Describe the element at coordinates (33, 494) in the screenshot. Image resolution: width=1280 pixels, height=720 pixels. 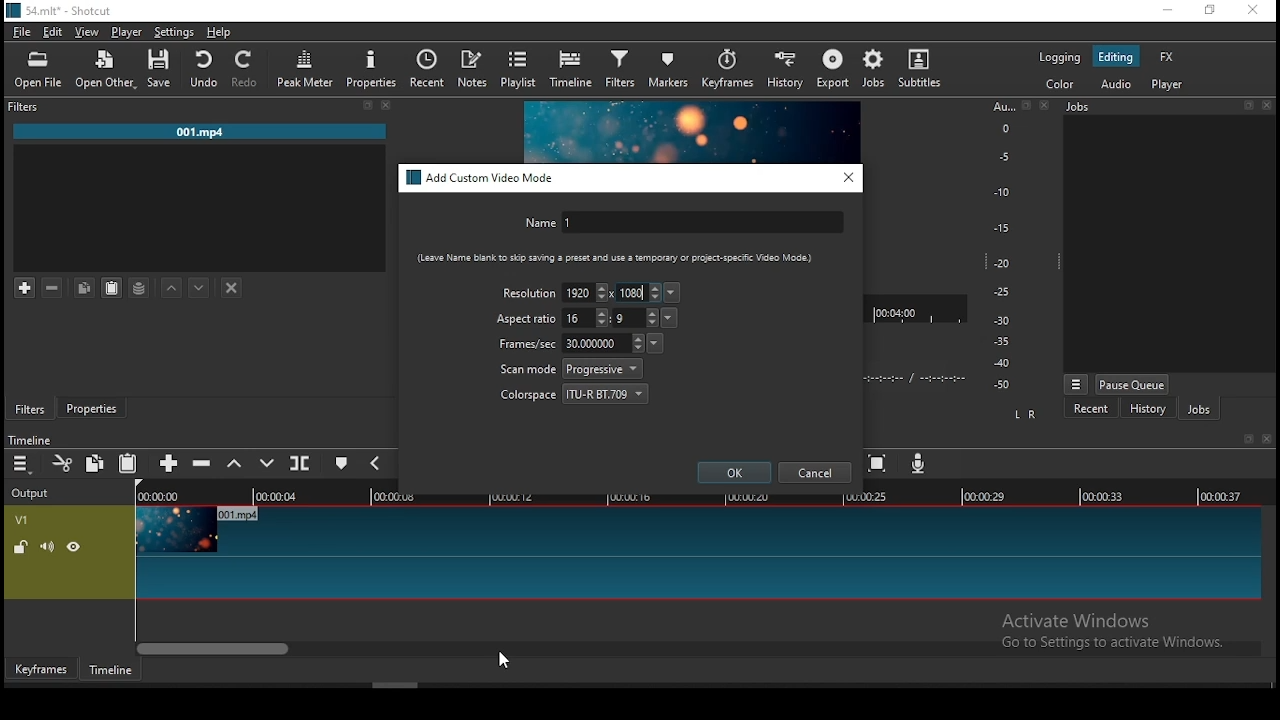
I see `output` at that location.